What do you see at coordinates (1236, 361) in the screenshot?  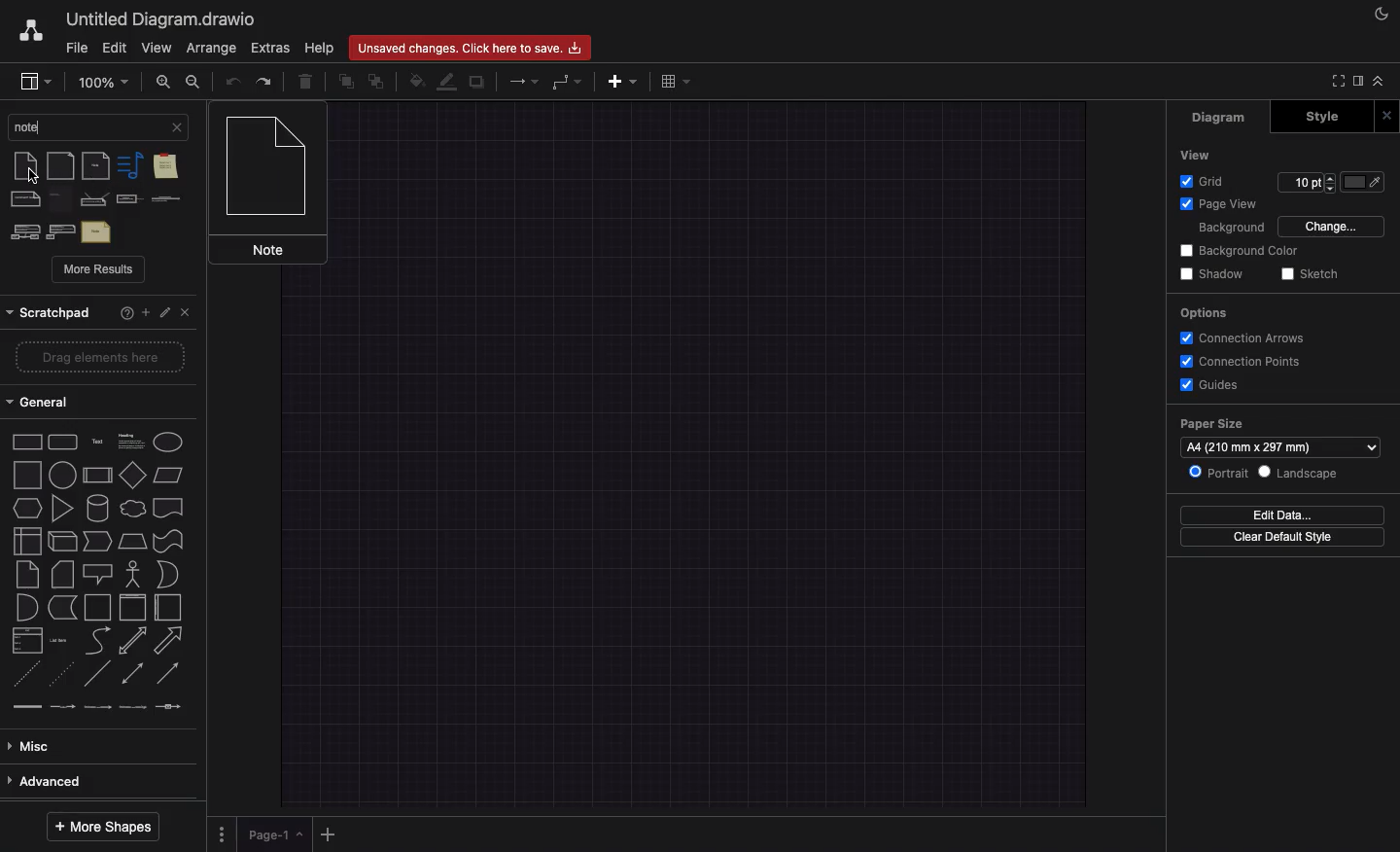 I see `Connection points` at bounding box center [1236, 361].